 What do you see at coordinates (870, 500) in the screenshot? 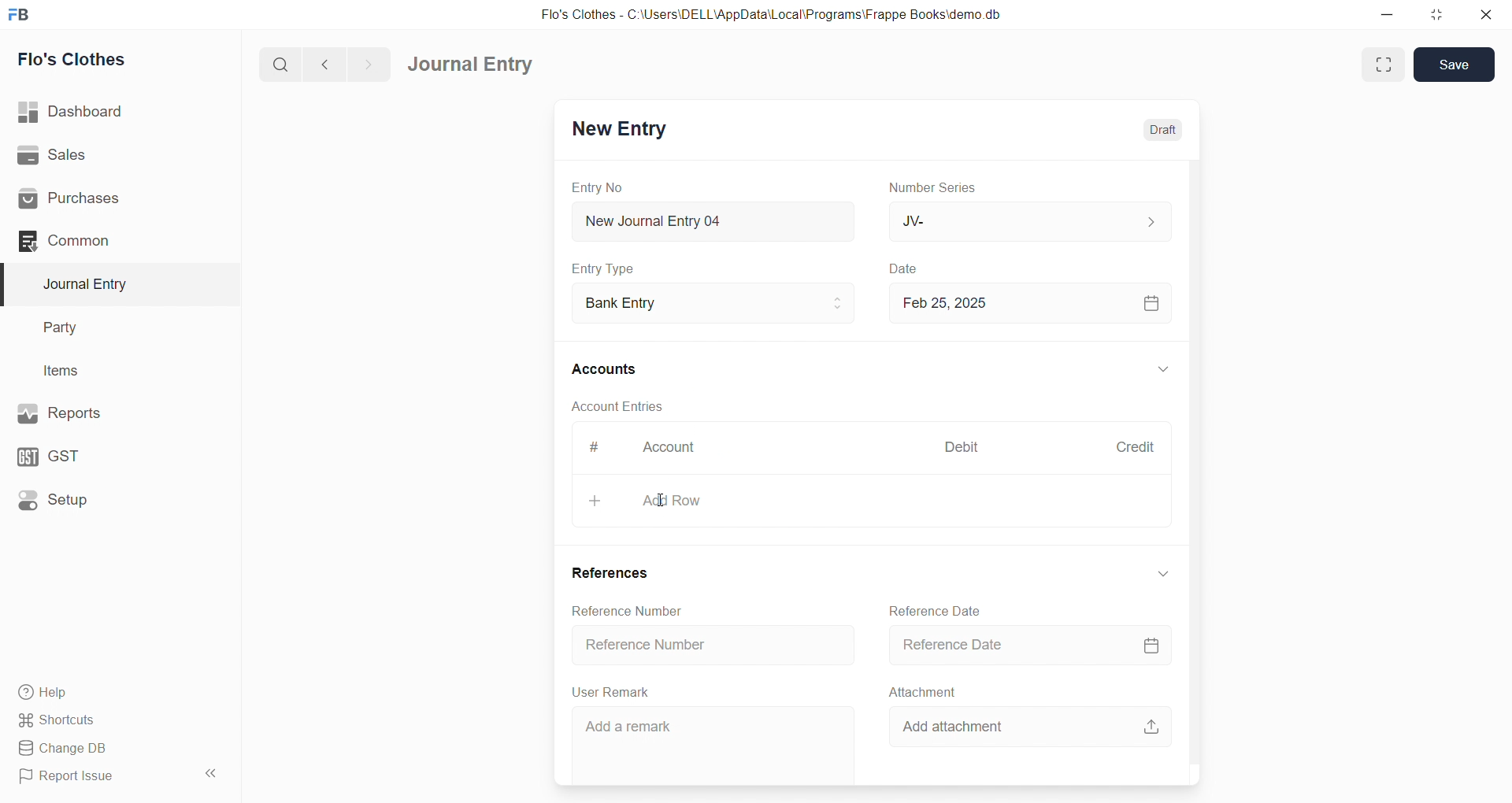
I see `Add Row ` at bounding box center [870, 500].